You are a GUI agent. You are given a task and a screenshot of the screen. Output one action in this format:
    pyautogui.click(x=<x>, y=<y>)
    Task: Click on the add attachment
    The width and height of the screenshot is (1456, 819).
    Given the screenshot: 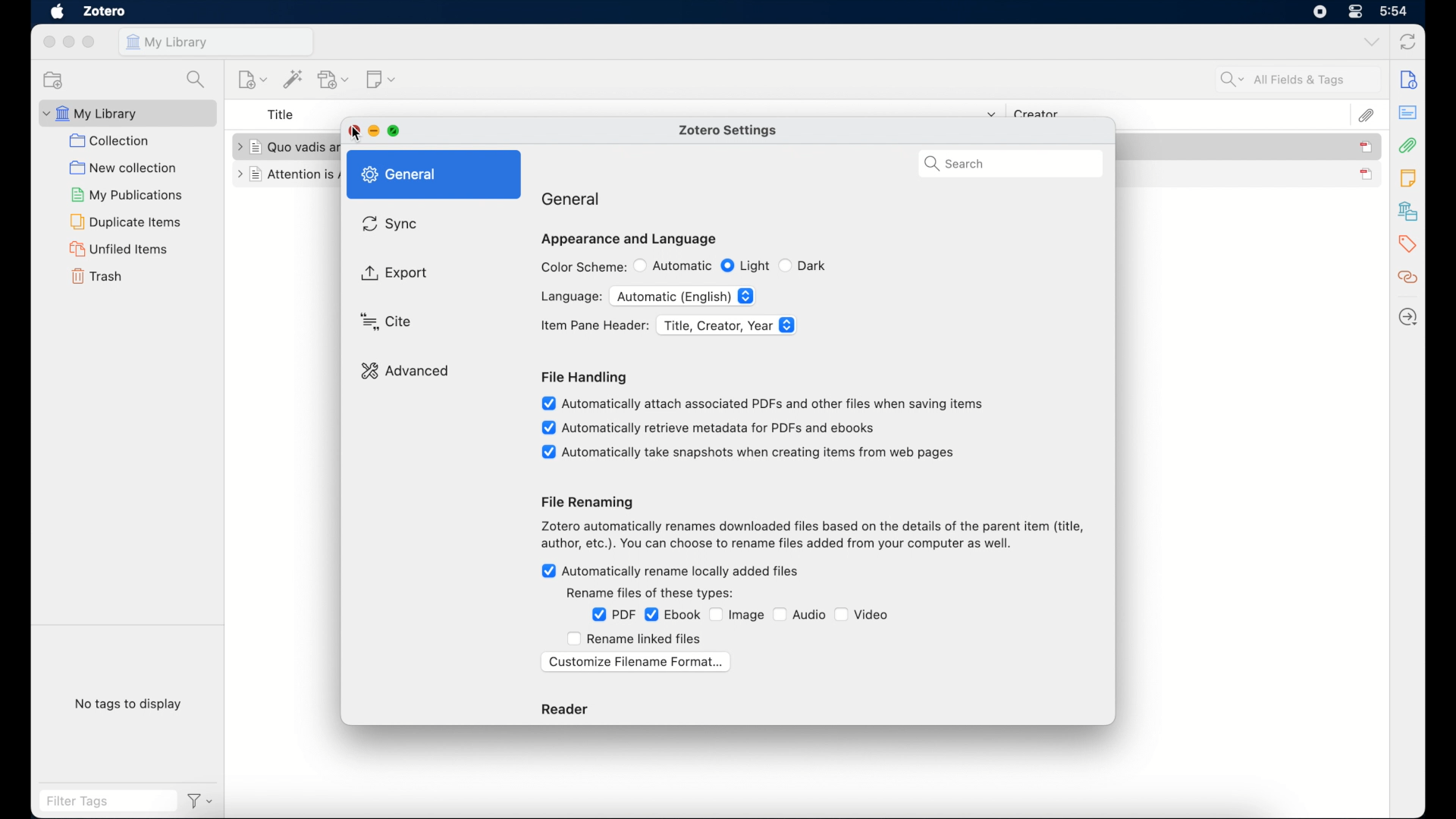 What is the action you would take?
    pyautogui.click(x=333, y=80)
    